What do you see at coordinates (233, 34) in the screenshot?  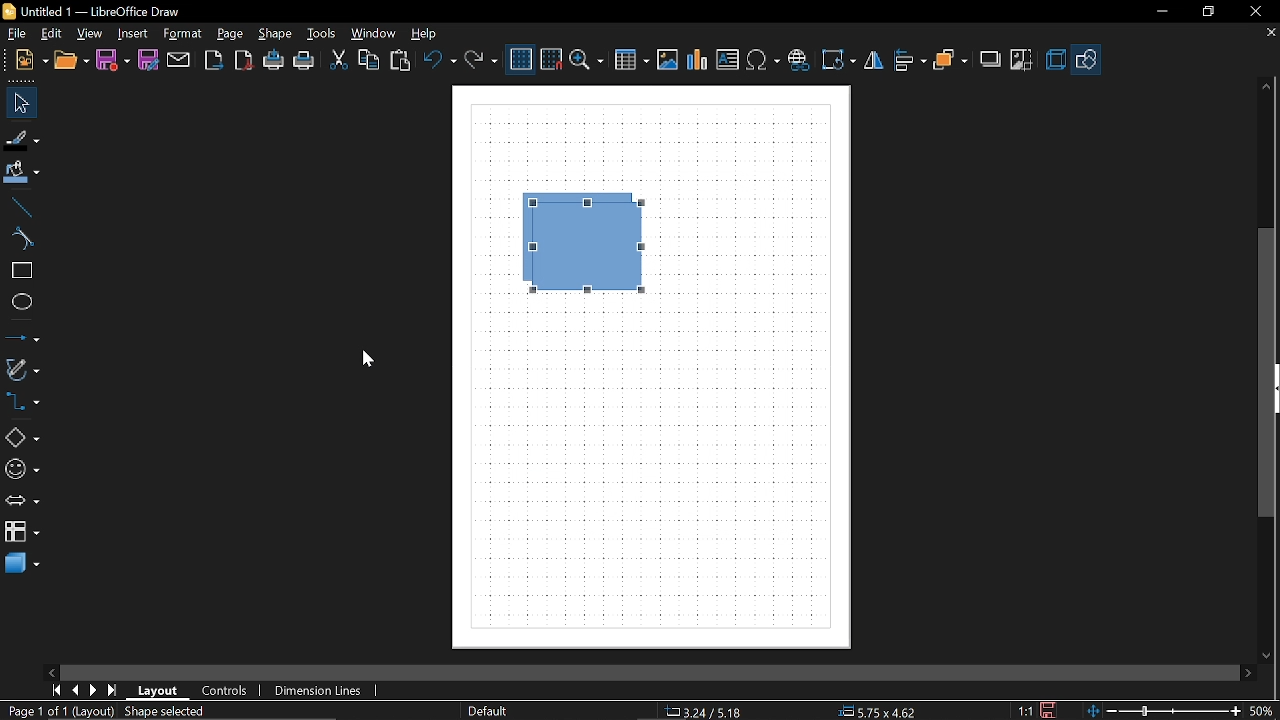 I see `Page` at bounding box center [233, 34].